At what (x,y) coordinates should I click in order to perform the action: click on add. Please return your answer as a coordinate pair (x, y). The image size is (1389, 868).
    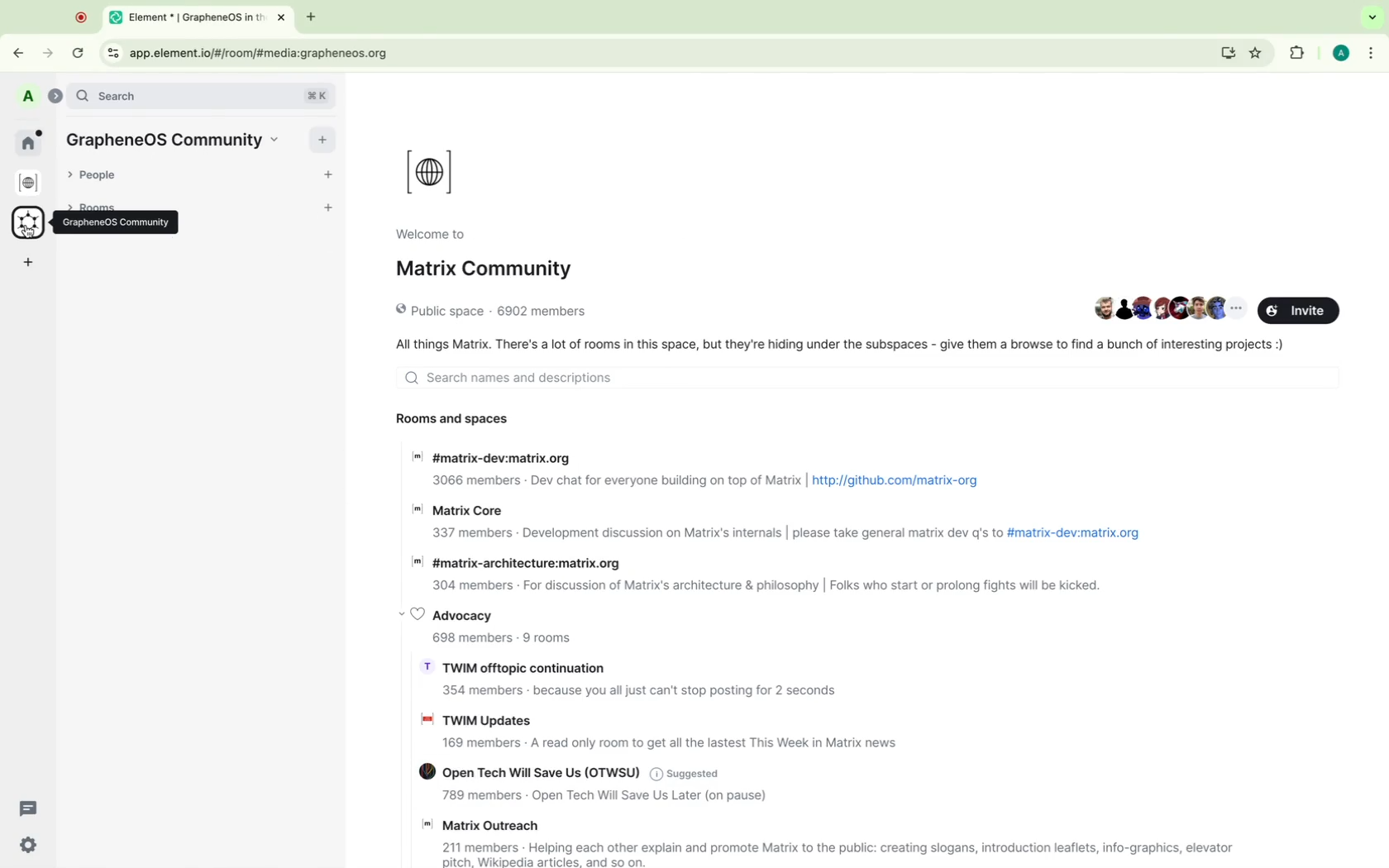
    Looking at the image, I should click on (323, 141).